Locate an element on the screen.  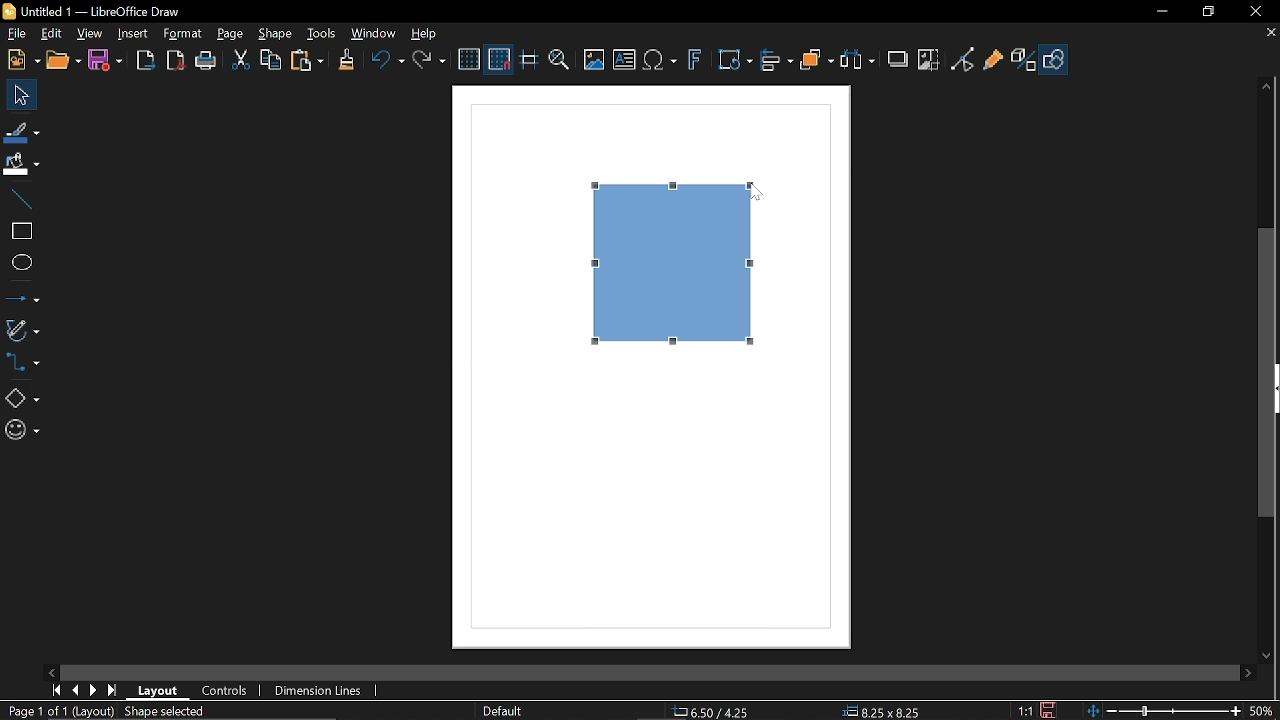
Vertical scrollbar is located at coordinates (1268, 374).